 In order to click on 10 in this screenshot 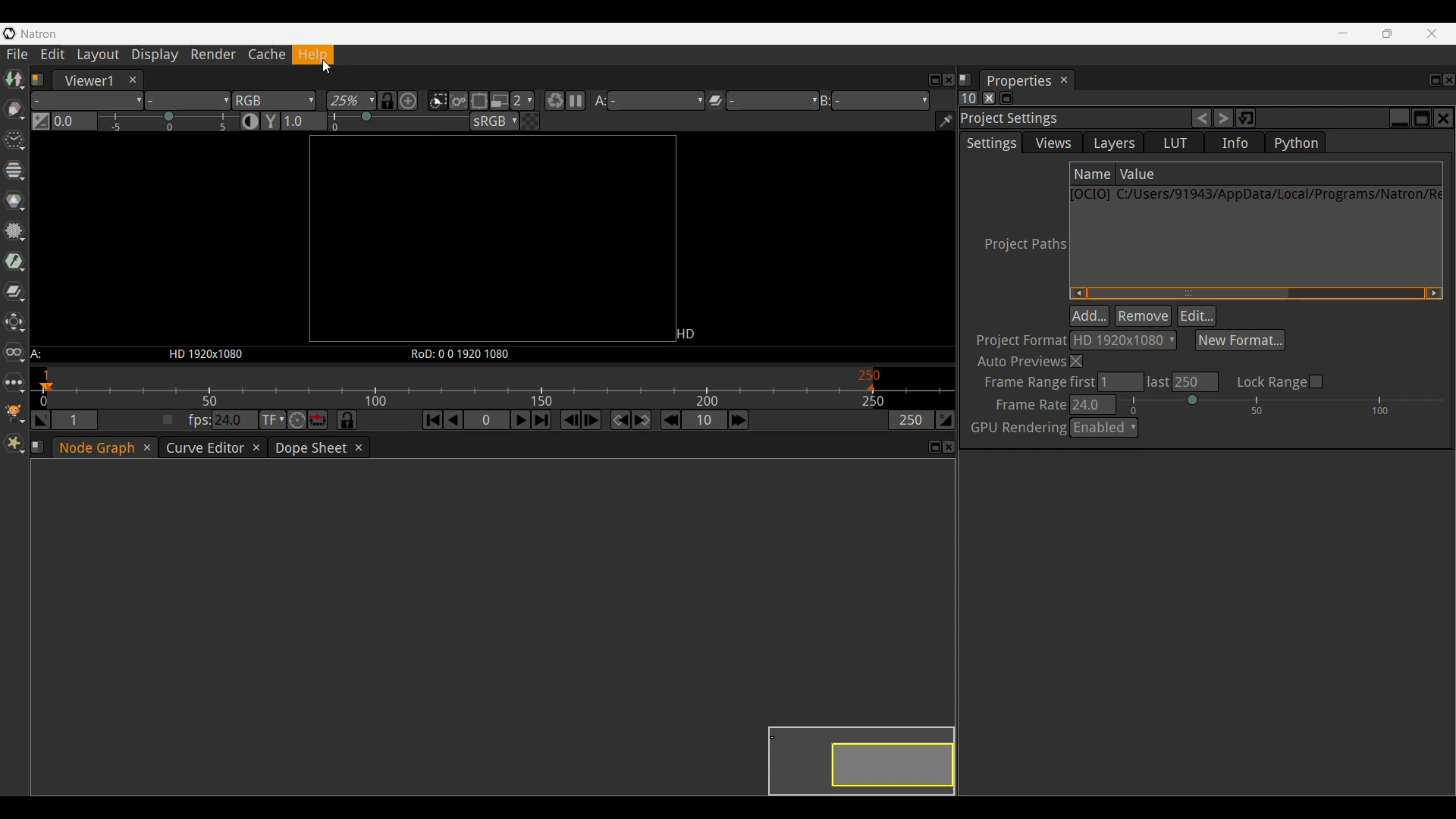, I will do `click(704, 419)`.